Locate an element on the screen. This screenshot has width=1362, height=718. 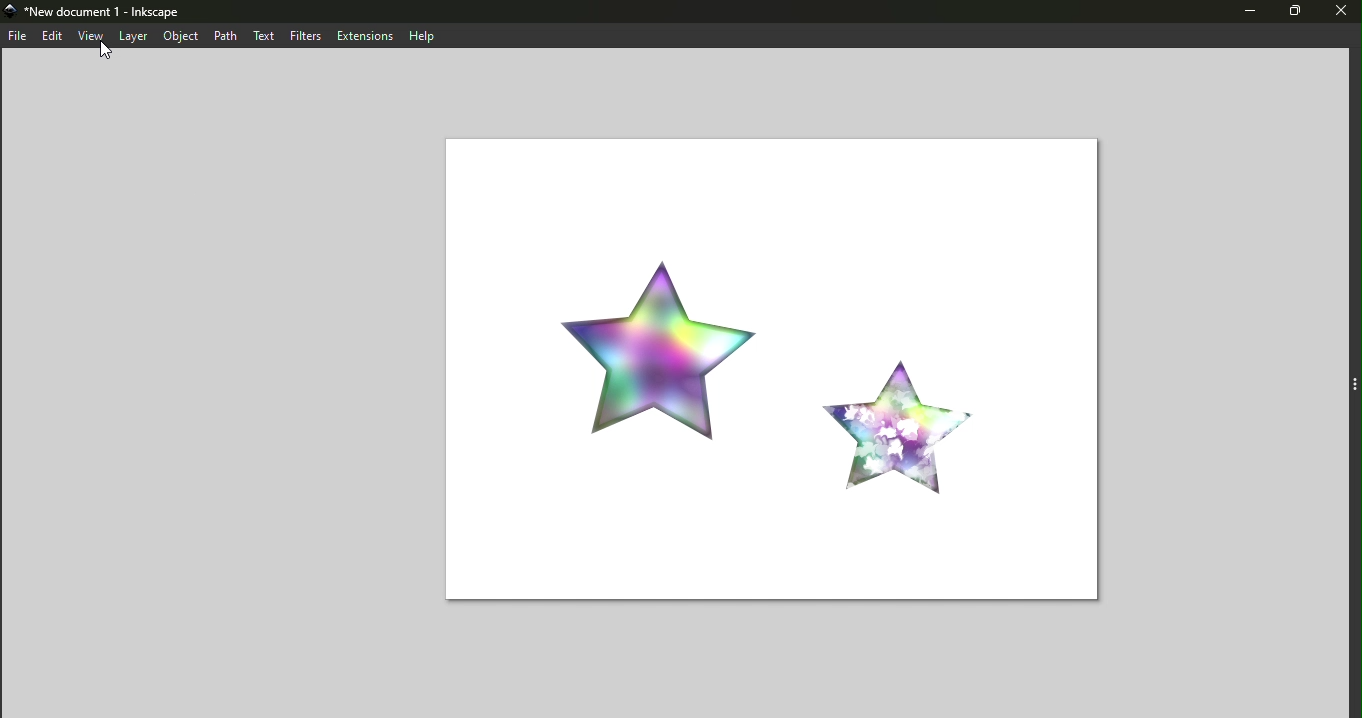
Canvas is located at coordinates (769, 372).